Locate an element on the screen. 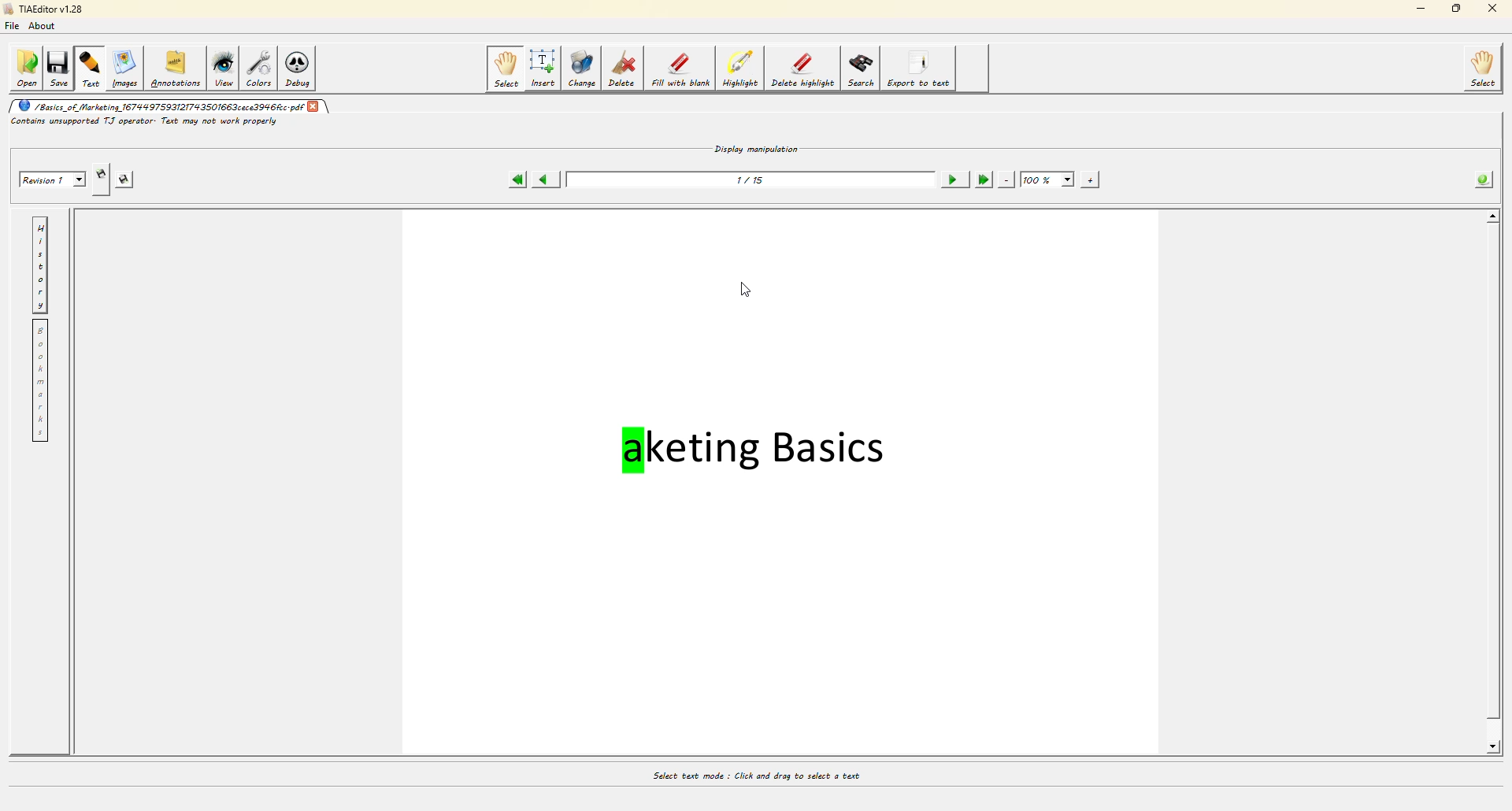 This screenshot has height=811, width=1512. maximize is located at coordinates (1458, 8).